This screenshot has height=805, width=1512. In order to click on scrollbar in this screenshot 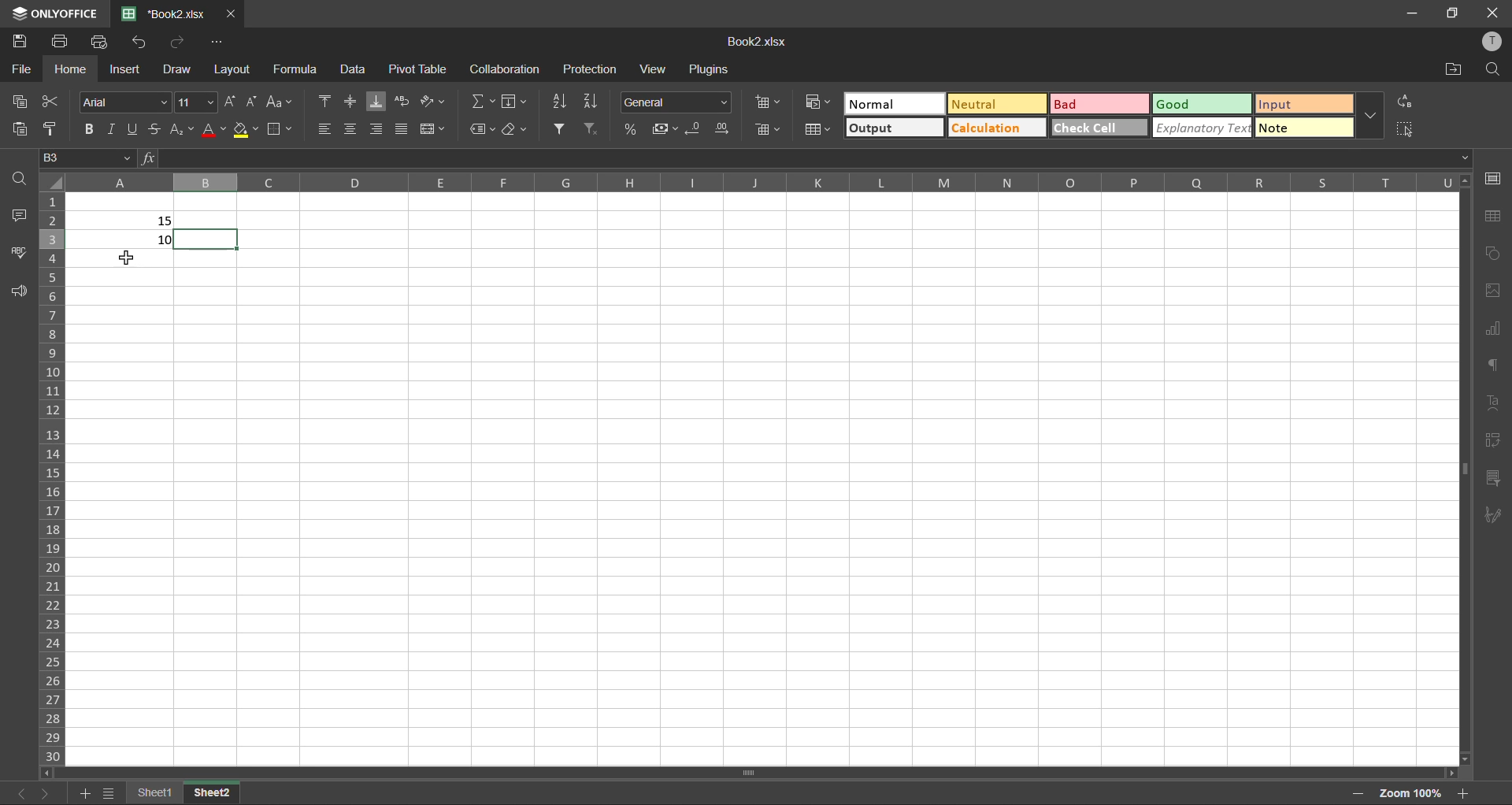, I will do `click(750, 773)`.